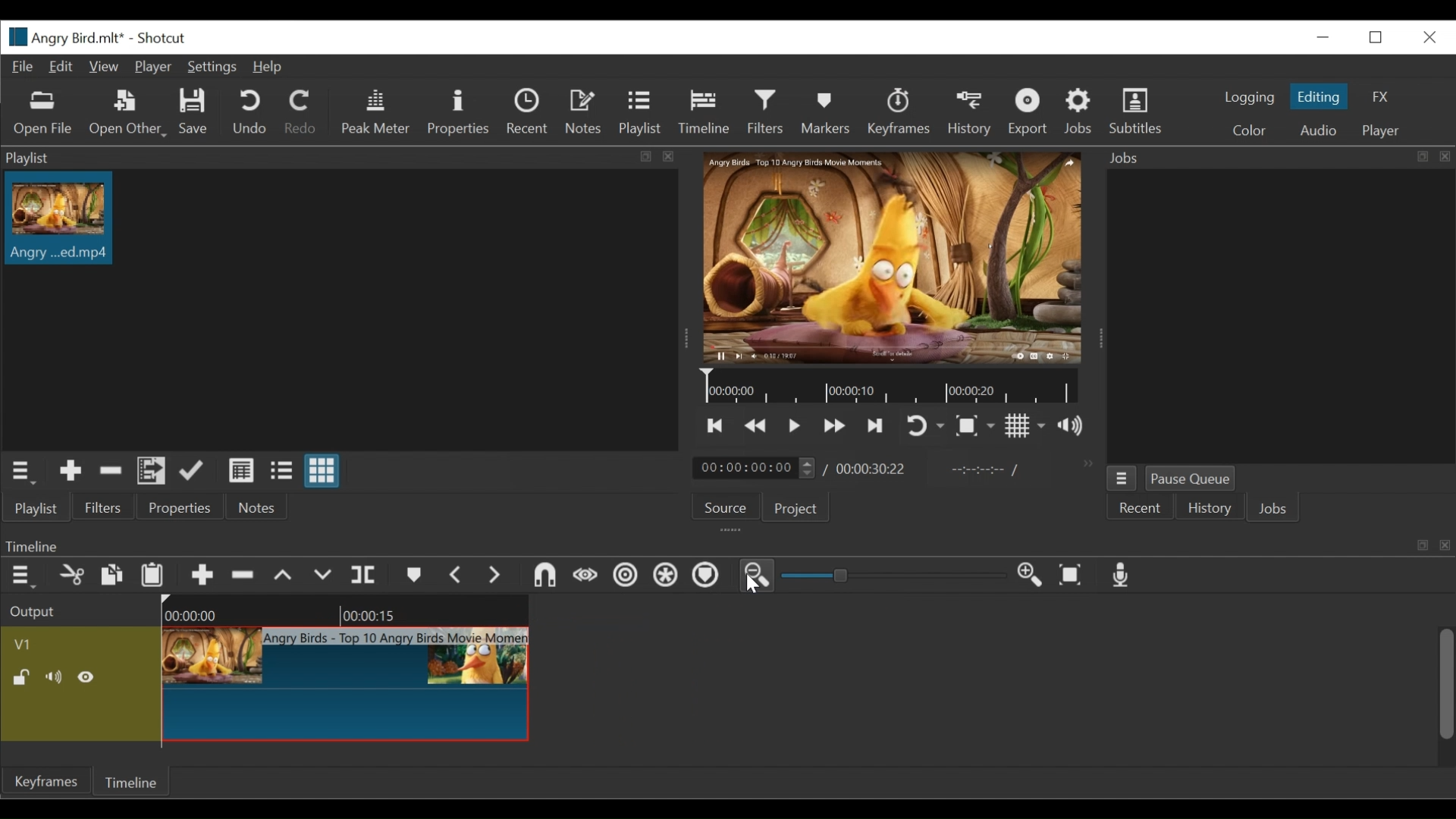  Describe the element at coordinates (272, 67) in the screenshot. I see `Help` at that location.